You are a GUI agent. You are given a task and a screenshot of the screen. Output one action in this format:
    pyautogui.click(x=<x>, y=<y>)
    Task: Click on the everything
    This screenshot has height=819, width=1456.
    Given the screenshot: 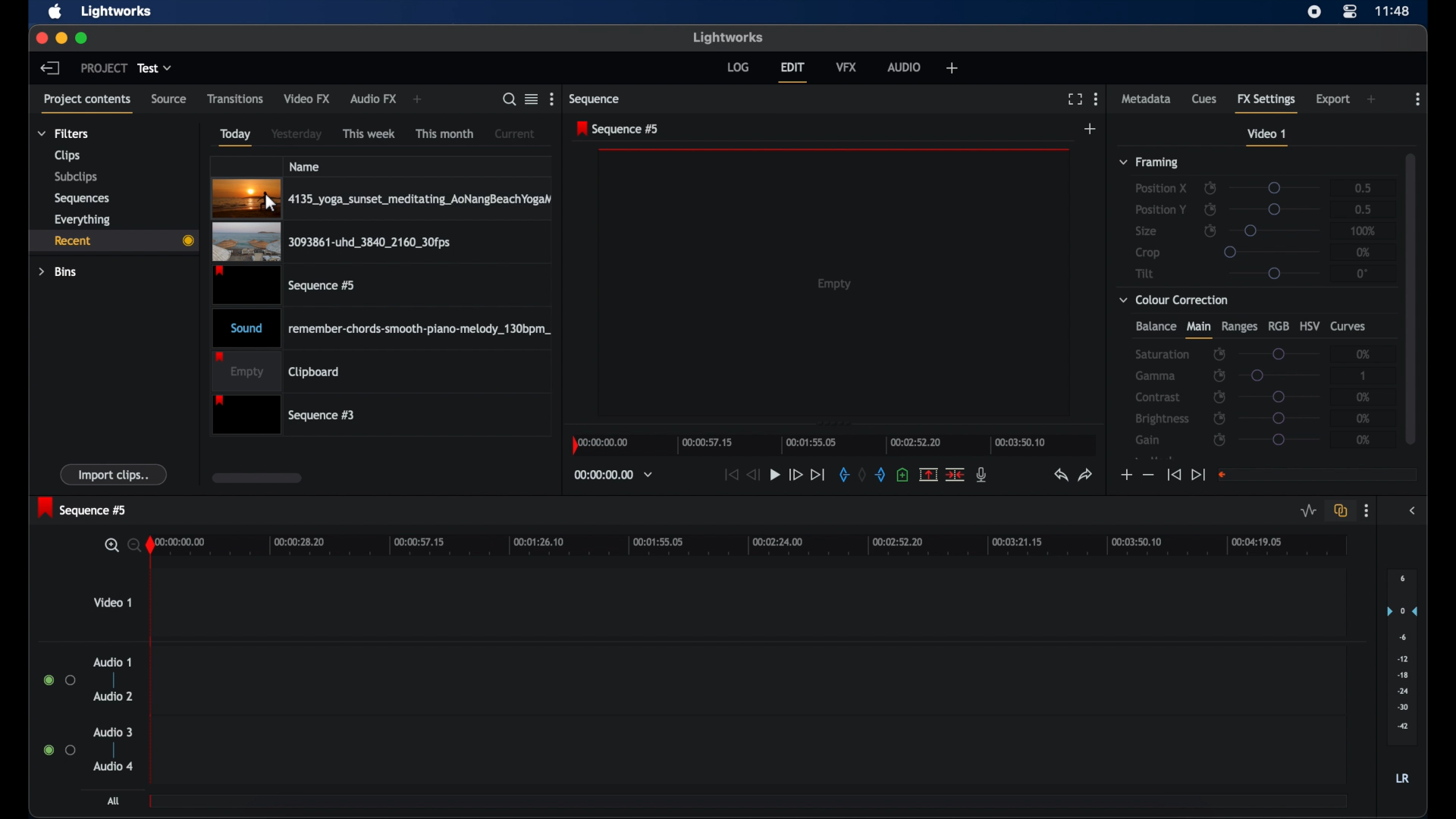 What is the action you would take?
    pyautogui.click(x=83, y=219)
    